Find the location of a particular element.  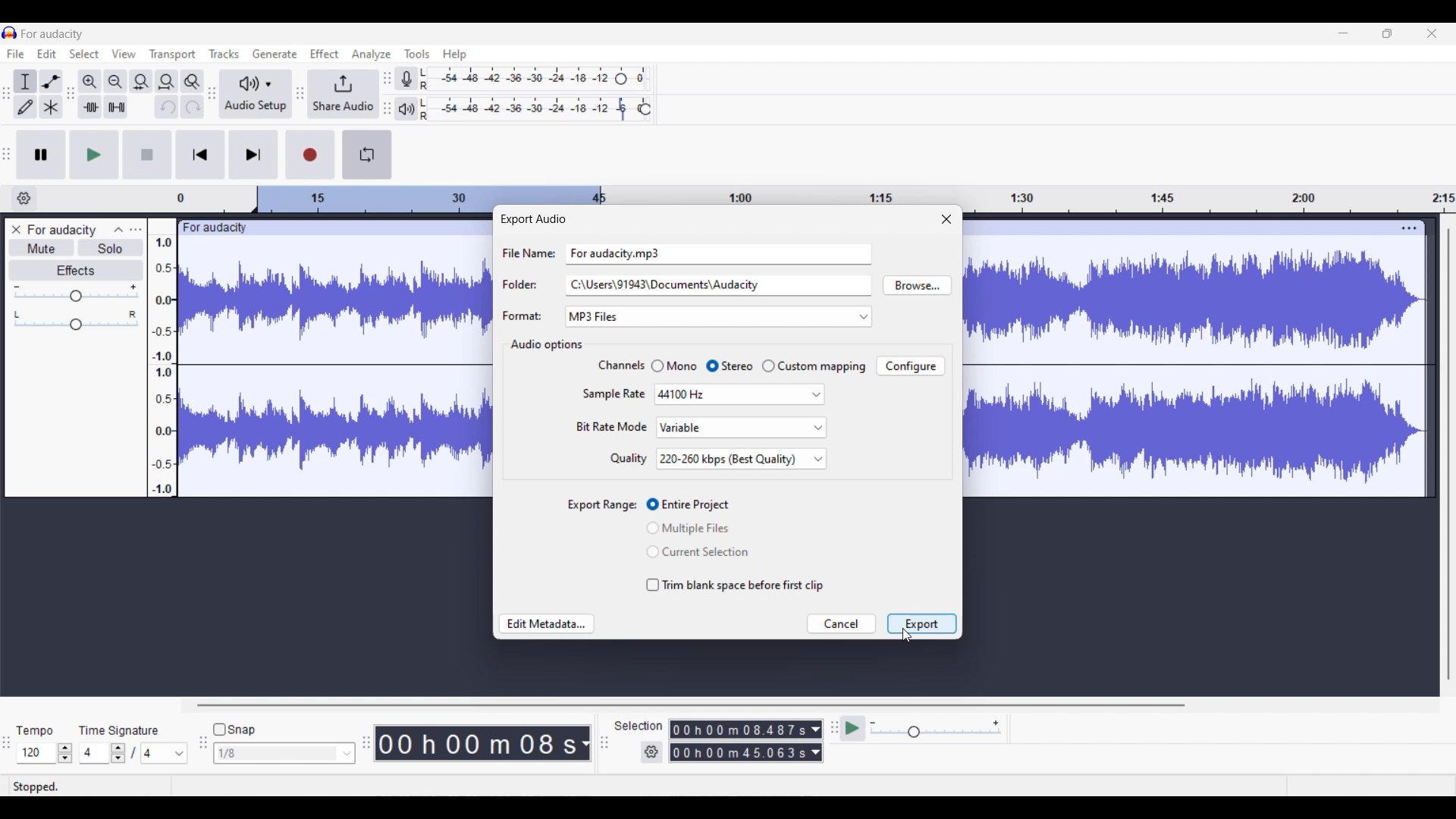

Tools menu is located at coordinates (417, 54).